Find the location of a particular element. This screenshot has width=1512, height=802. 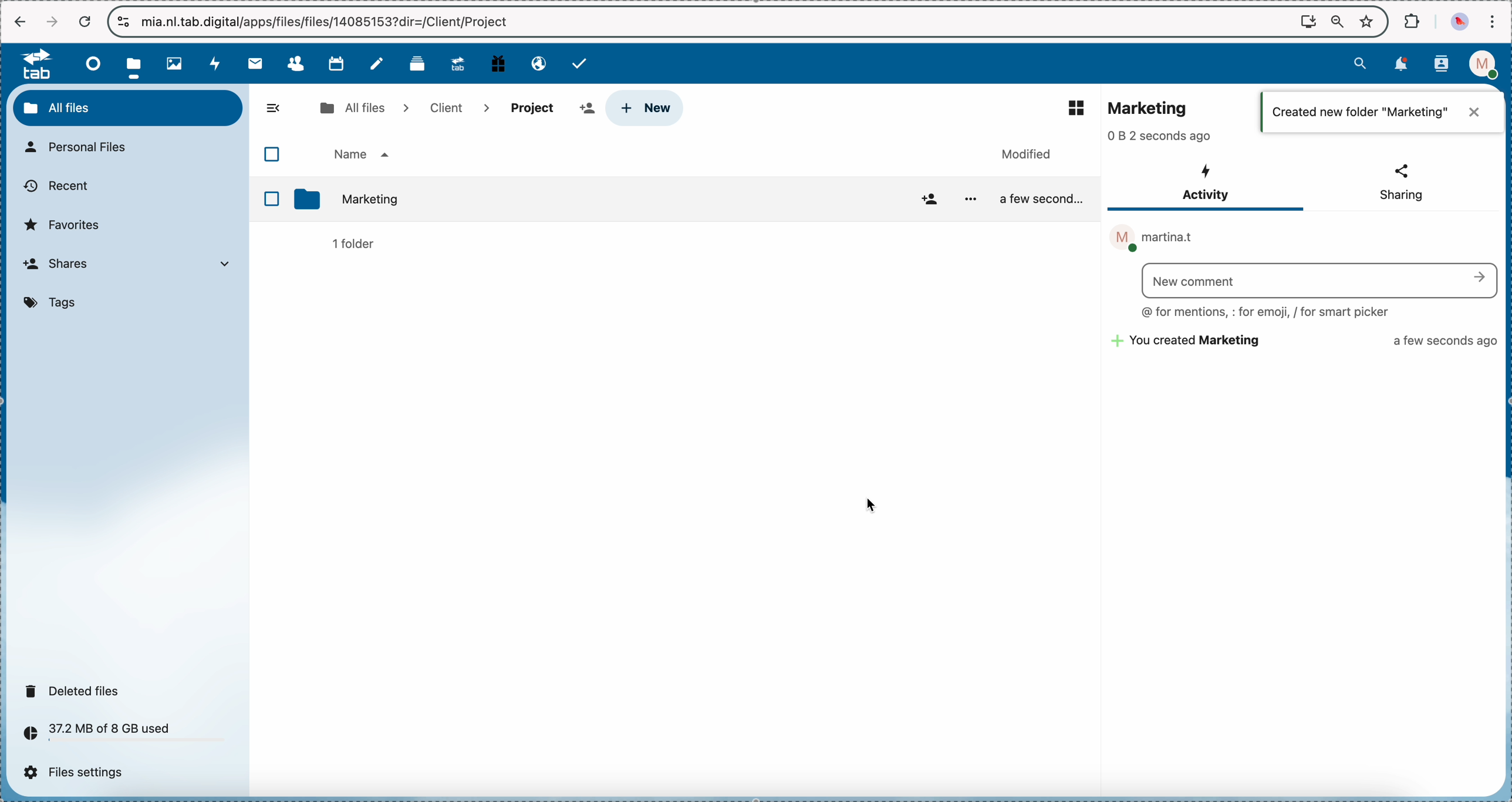

seconds ago is located at coordinates (1158, 139).